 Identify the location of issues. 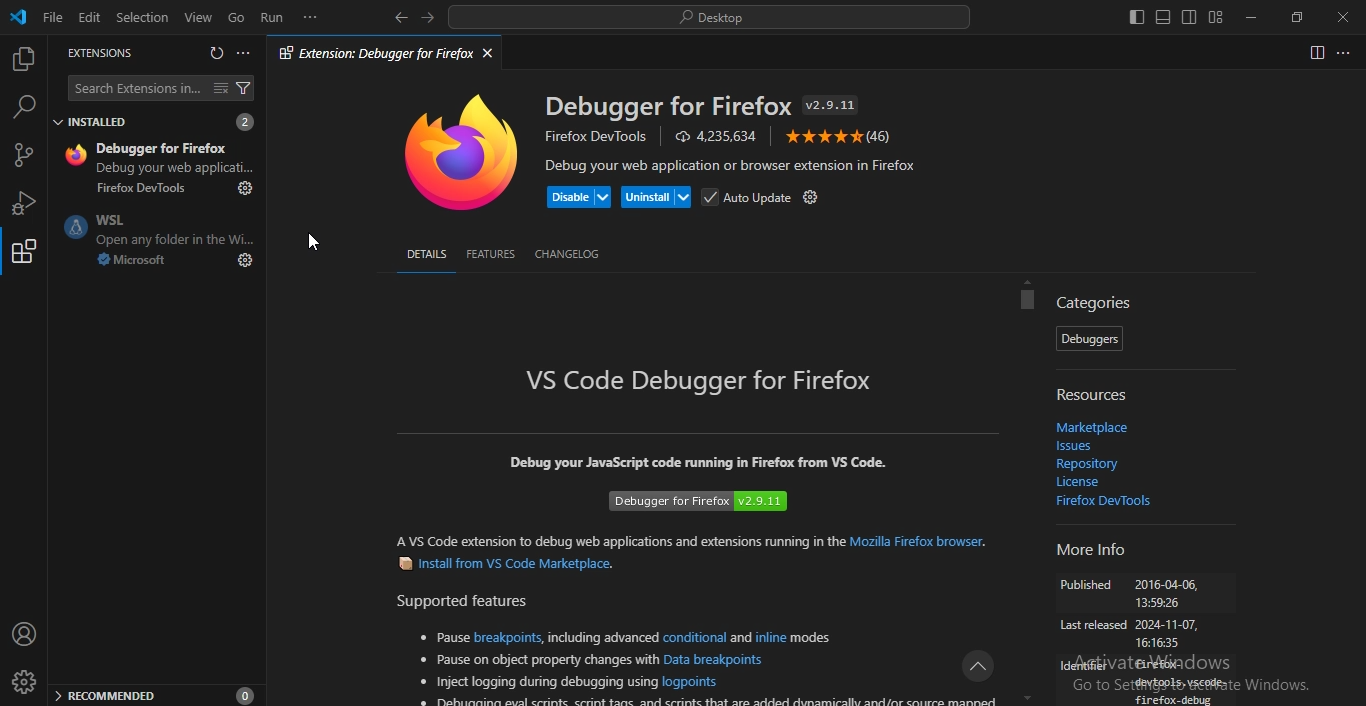
(1079, 445).